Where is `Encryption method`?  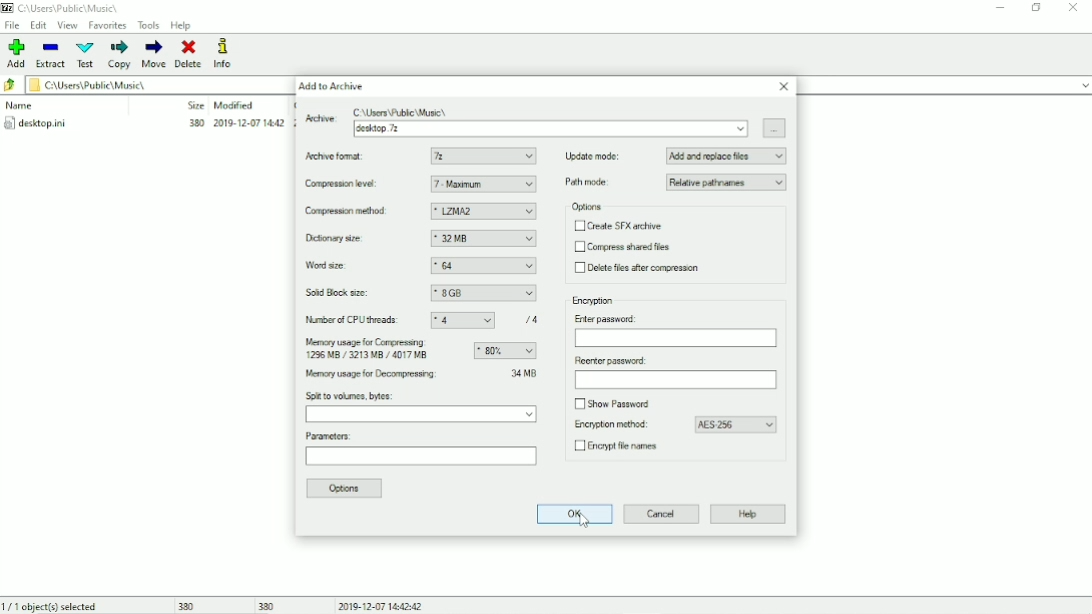
Encryption method is located at coordinates (608, 425).